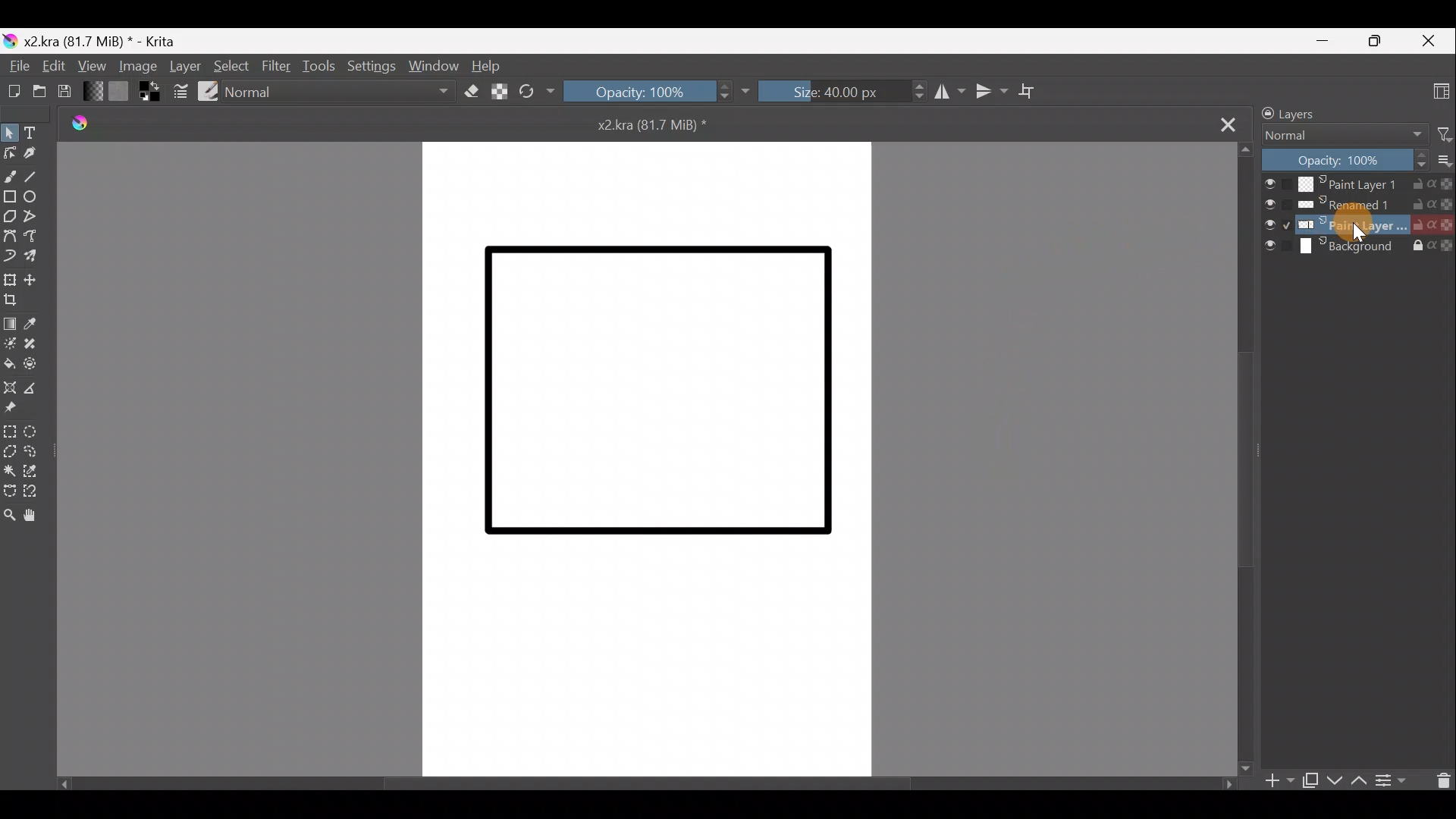  What do you see at coordinates (84, 122) in the screenshot?
I see `Krita logo` at bounding box center [84, 122].